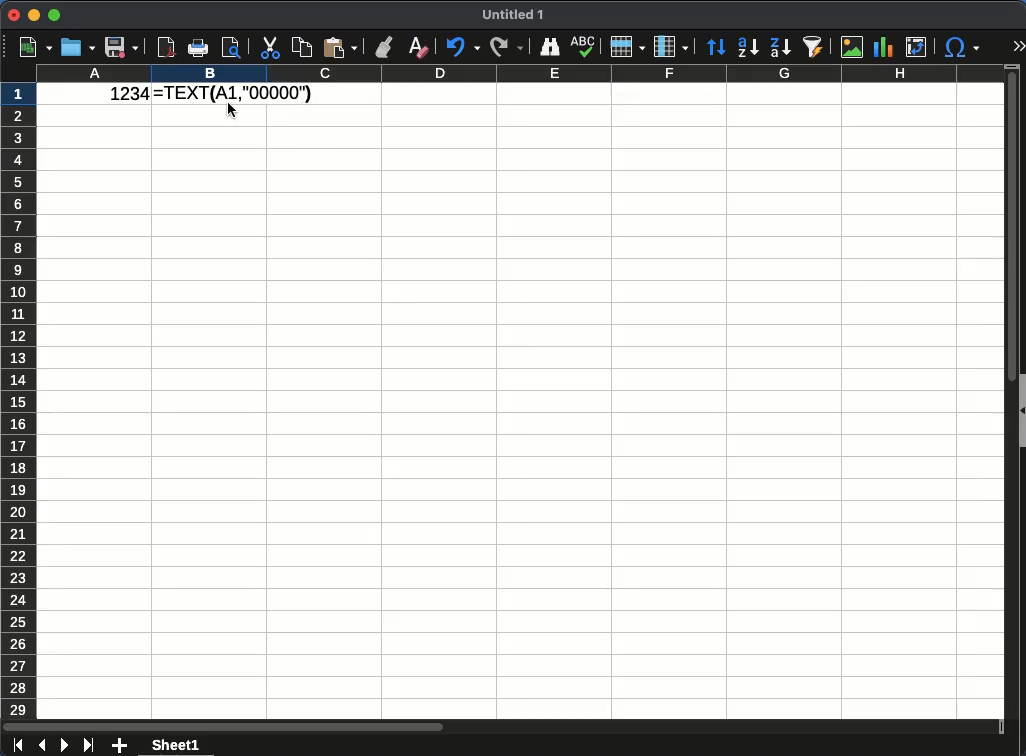 The height and width of the screenshot is (756, 1026). What do you see at coordinates (233, 48) in the screenshot?
I see `print preview` at bounding box center [233, 48].